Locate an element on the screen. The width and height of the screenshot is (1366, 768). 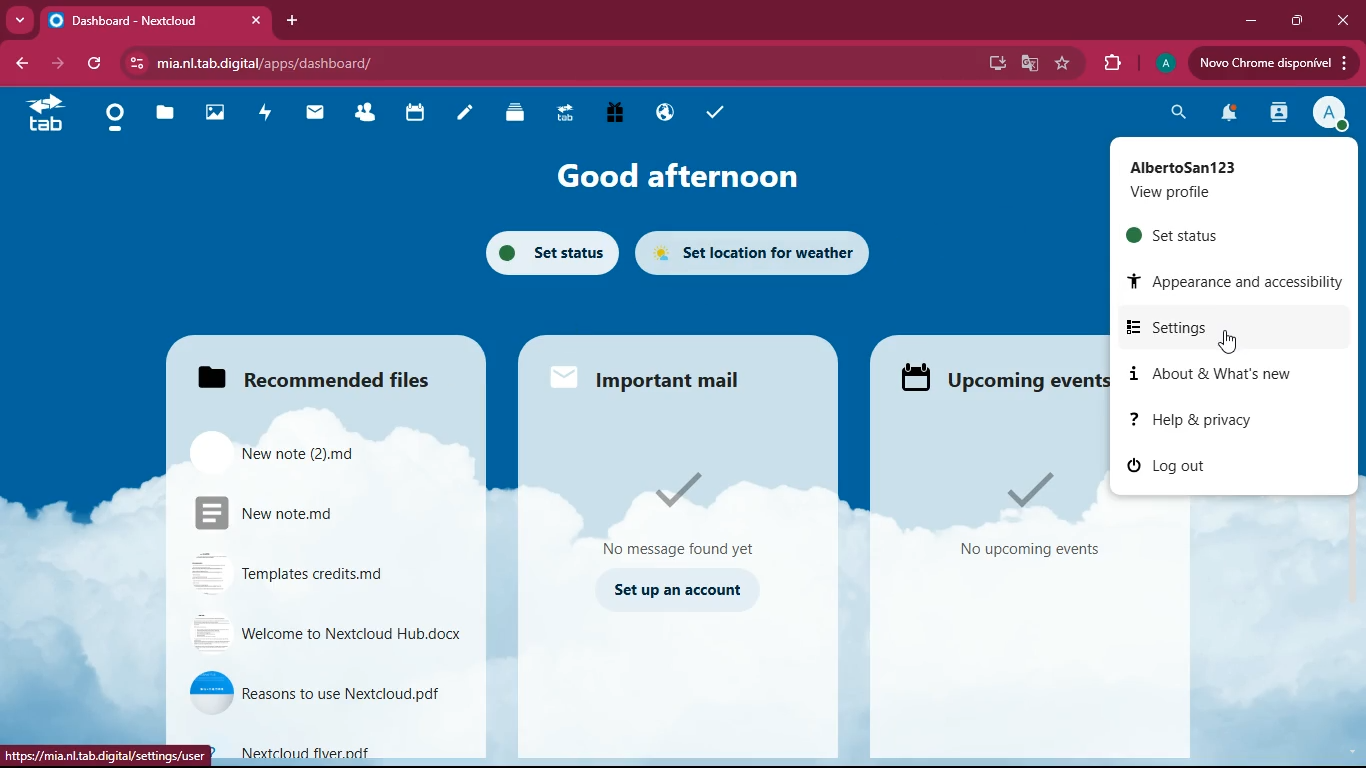
files is located at coordinates (165, 114).